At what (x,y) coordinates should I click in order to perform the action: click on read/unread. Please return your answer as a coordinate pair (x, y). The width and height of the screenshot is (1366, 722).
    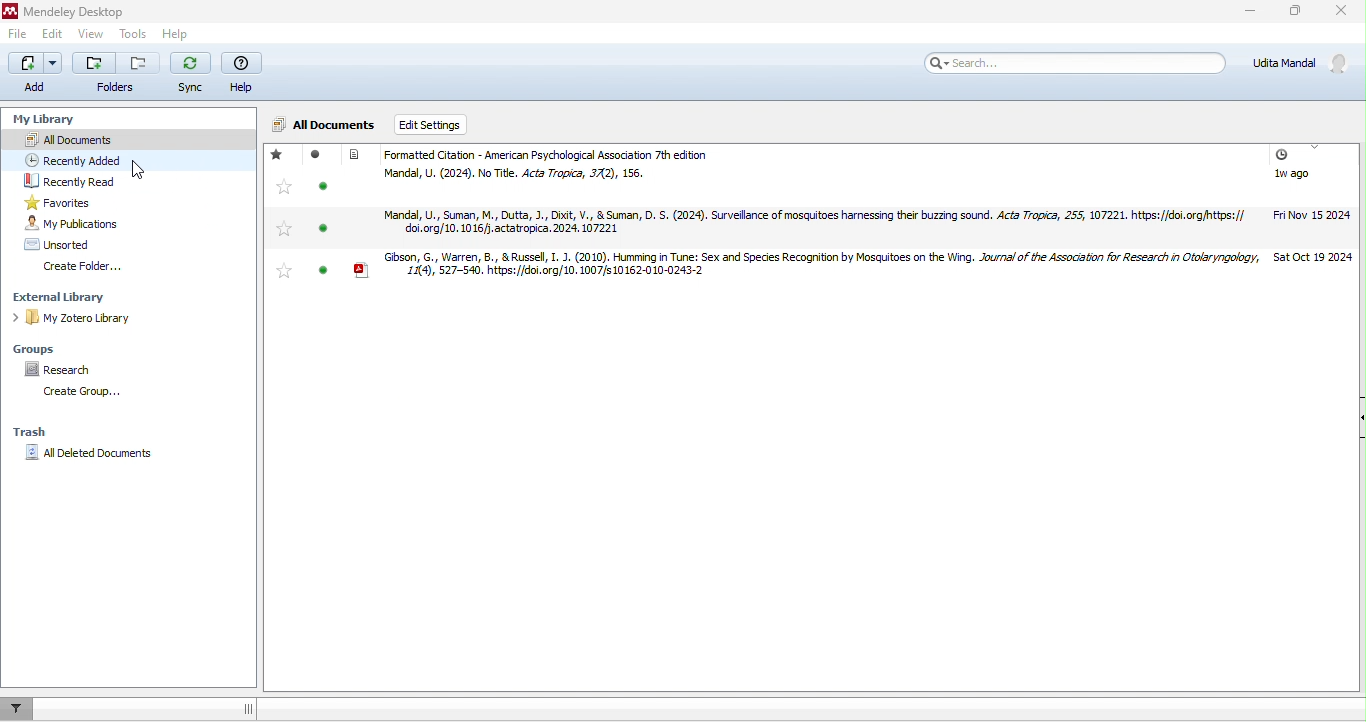
    Looking at the image, I should click on (321, 186).